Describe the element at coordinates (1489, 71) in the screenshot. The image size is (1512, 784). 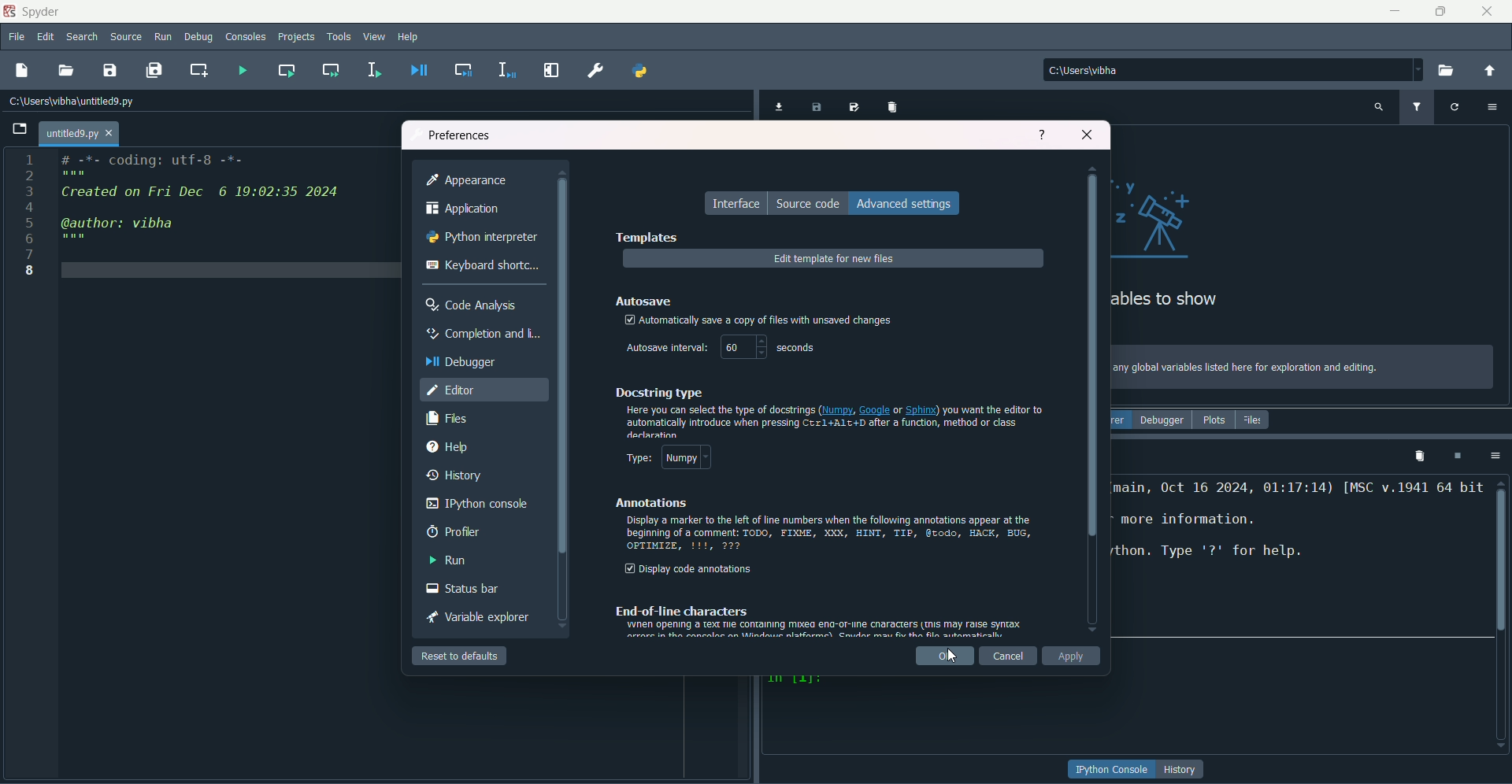
I see `change directory` at that location.